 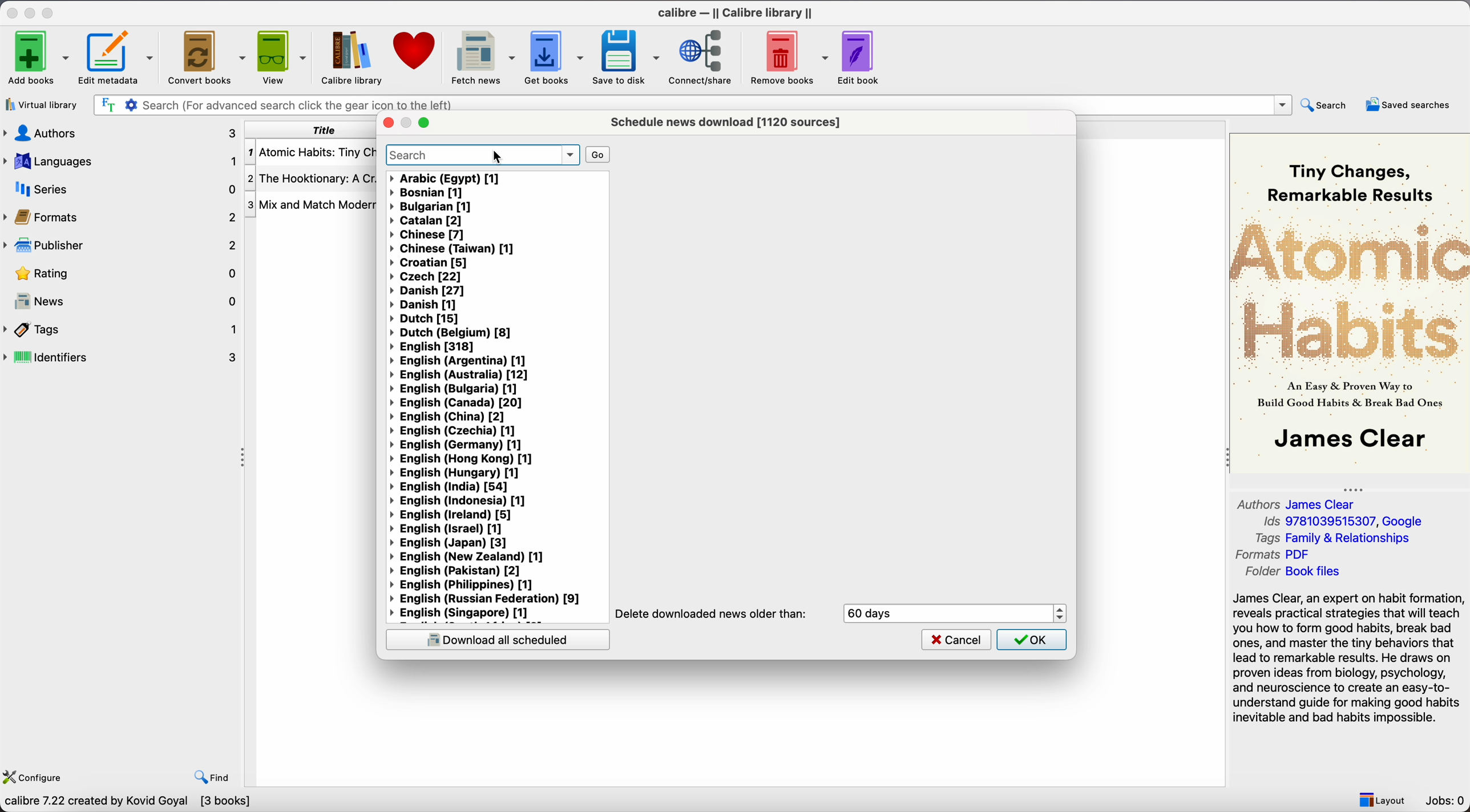 What do you see at coordinates (788, 56) in the screenshot?
I see `remove books` at bounding box center [788, 56].